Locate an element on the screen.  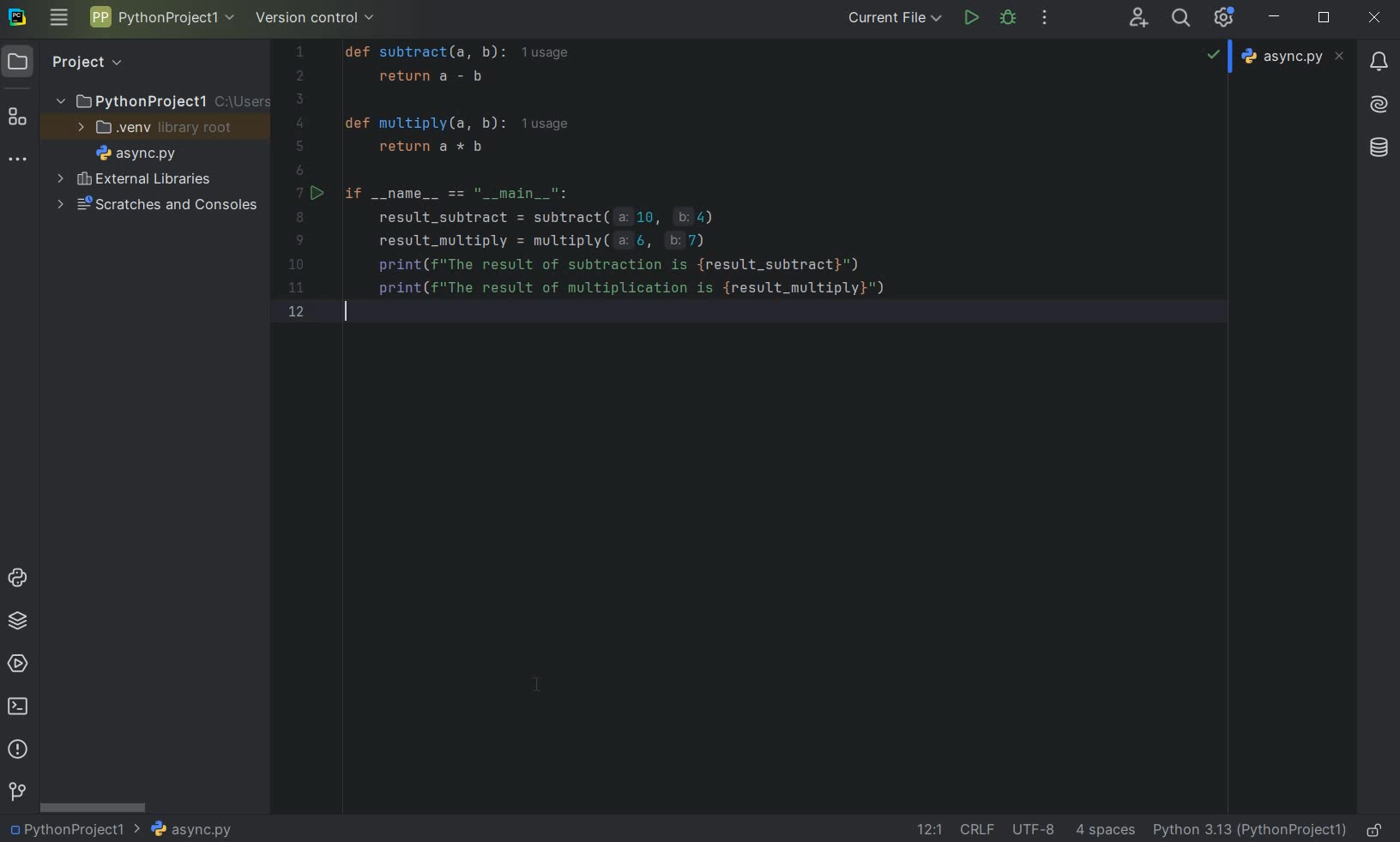
python packages is located at coordinates (19, 619).